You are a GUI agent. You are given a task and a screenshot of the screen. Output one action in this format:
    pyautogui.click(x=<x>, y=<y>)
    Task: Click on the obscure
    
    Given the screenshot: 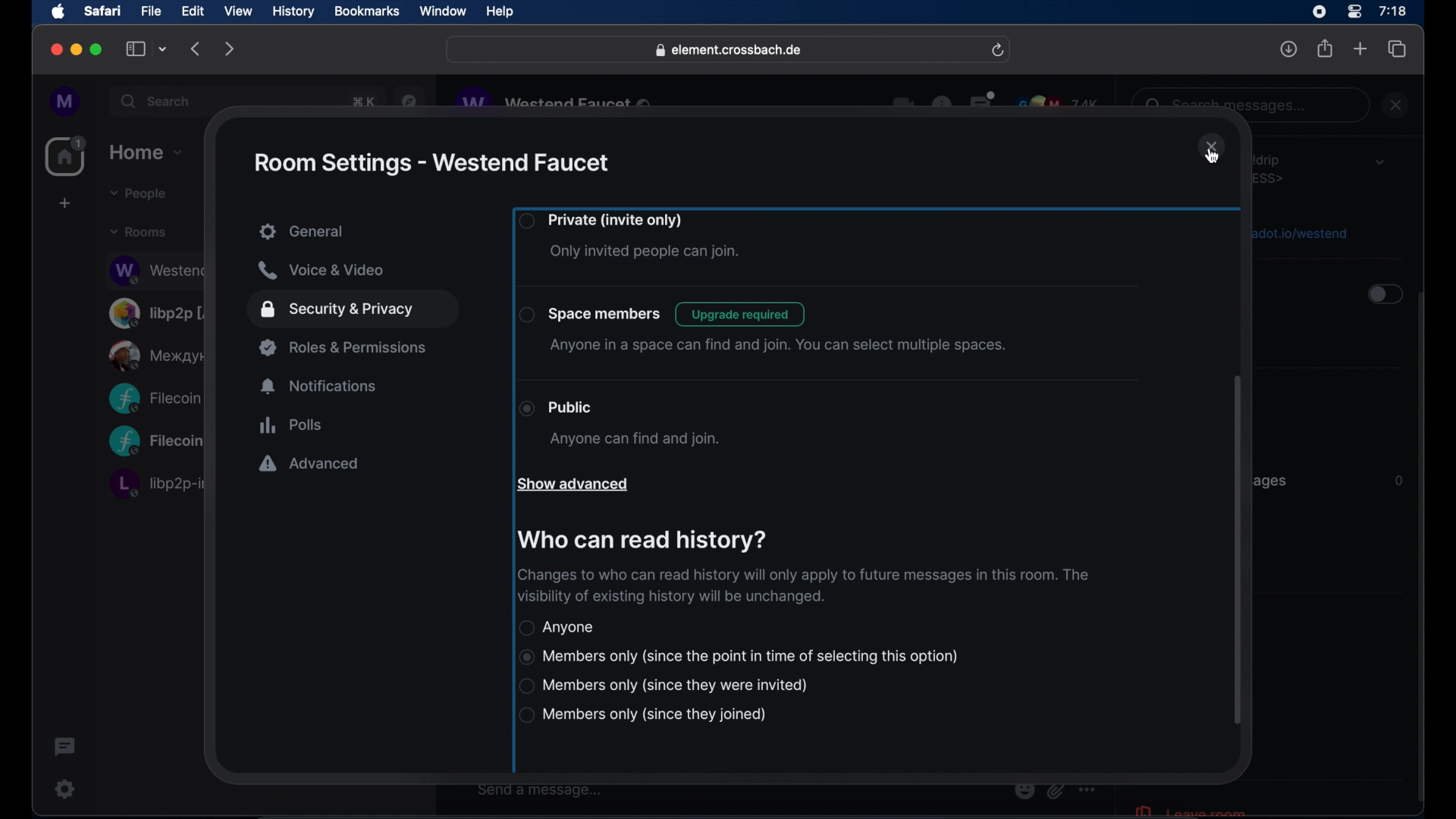 What is the action you would take?
    pyautogui.click(x=556, y=101)
    